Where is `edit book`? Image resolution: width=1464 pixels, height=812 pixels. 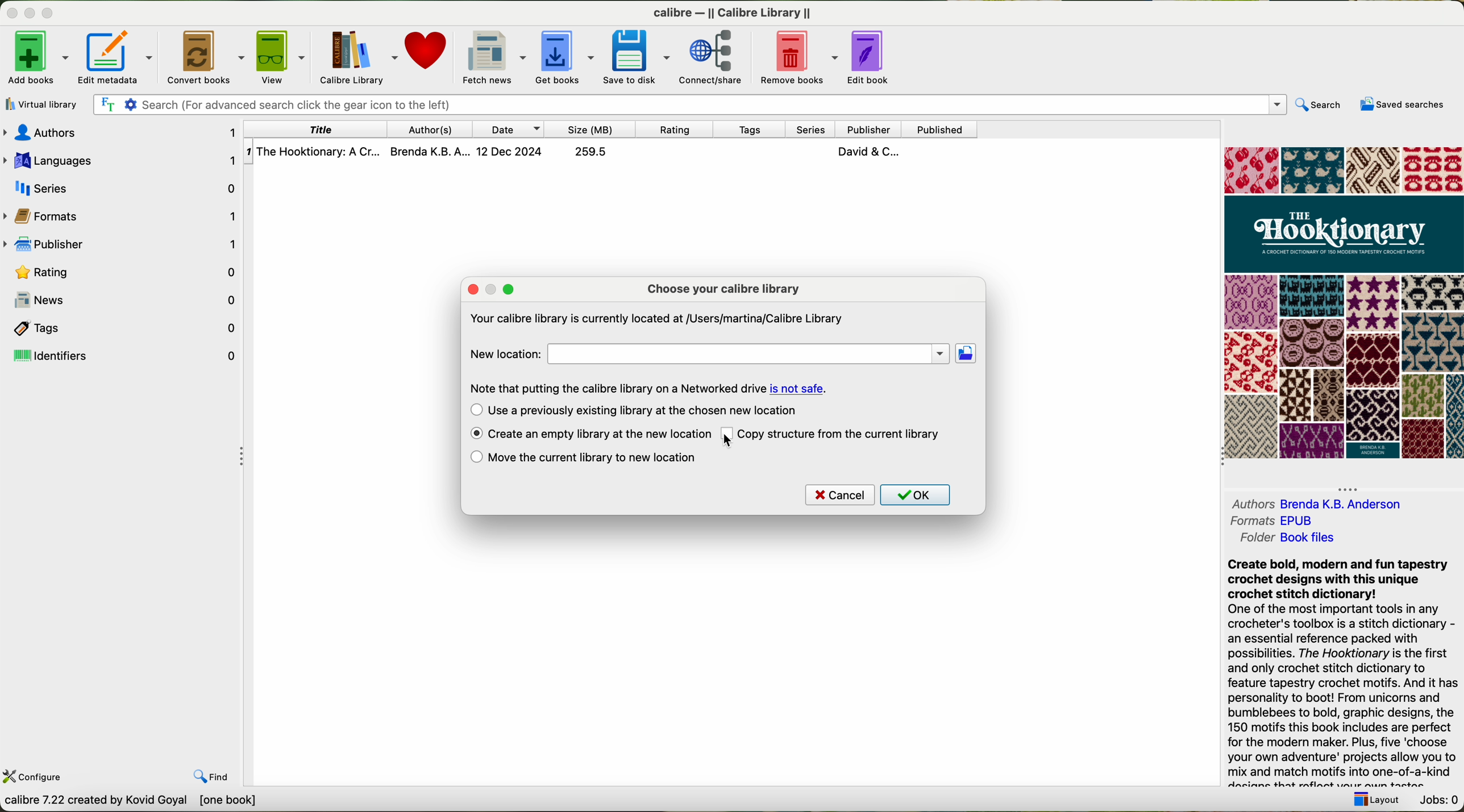 edit book is located at coordinates (868, 56).